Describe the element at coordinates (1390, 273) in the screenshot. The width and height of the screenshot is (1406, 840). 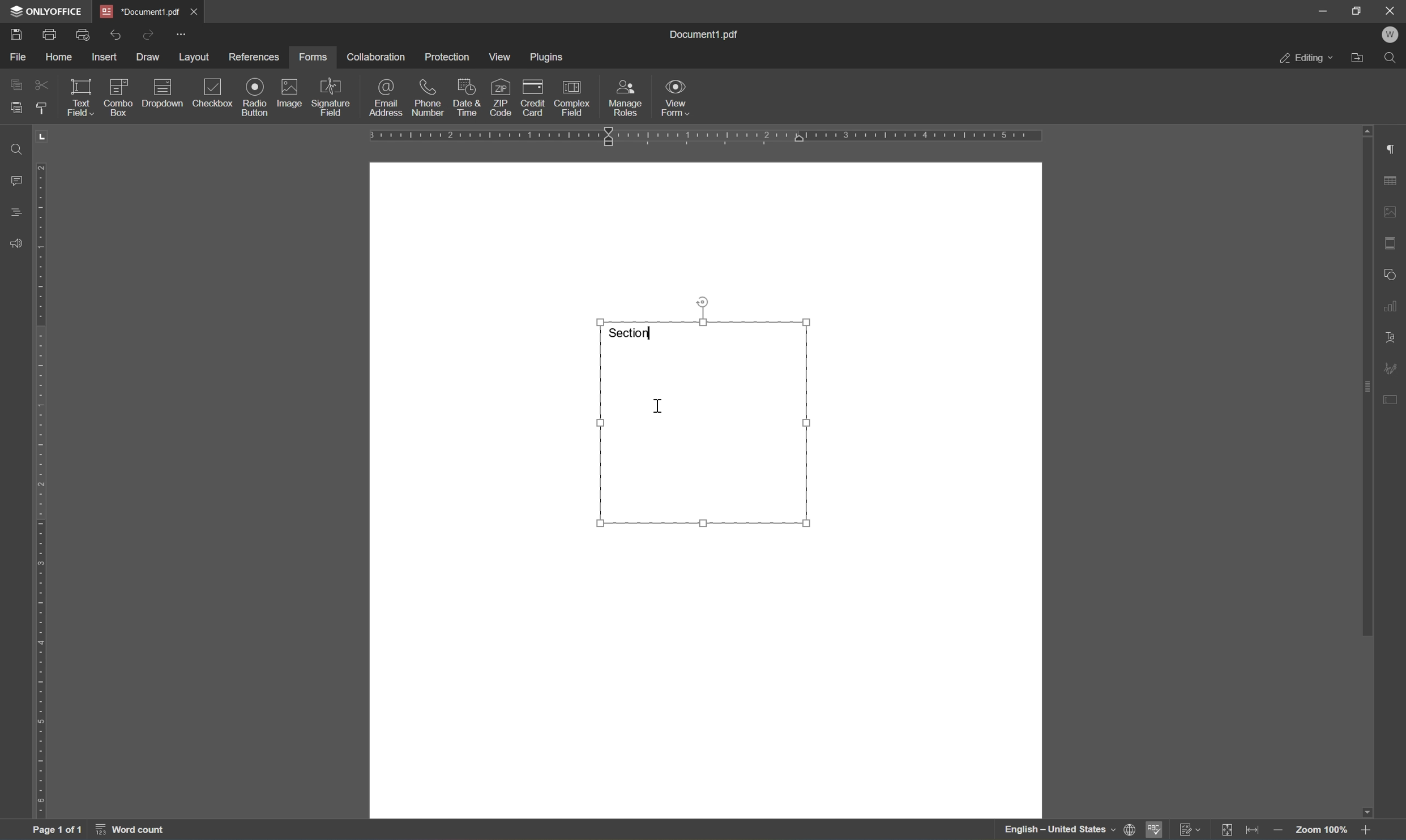
I see `shape settings` at that location.